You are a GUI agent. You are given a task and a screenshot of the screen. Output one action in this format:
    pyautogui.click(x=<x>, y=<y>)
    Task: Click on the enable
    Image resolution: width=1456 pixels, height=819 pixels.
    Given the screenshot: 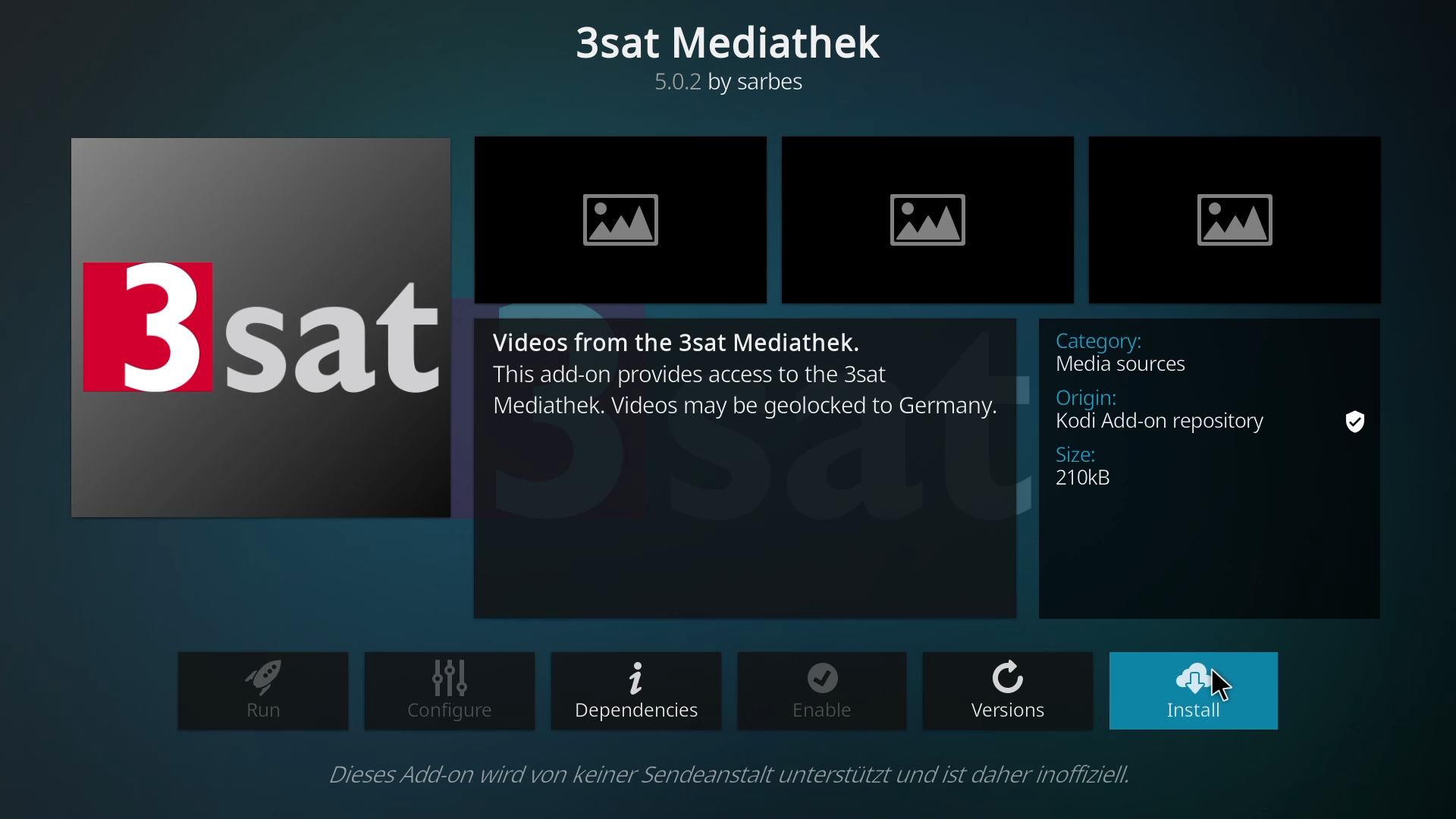 What is the action you would take?
    pyautogui.click(x=822, y=689)
    